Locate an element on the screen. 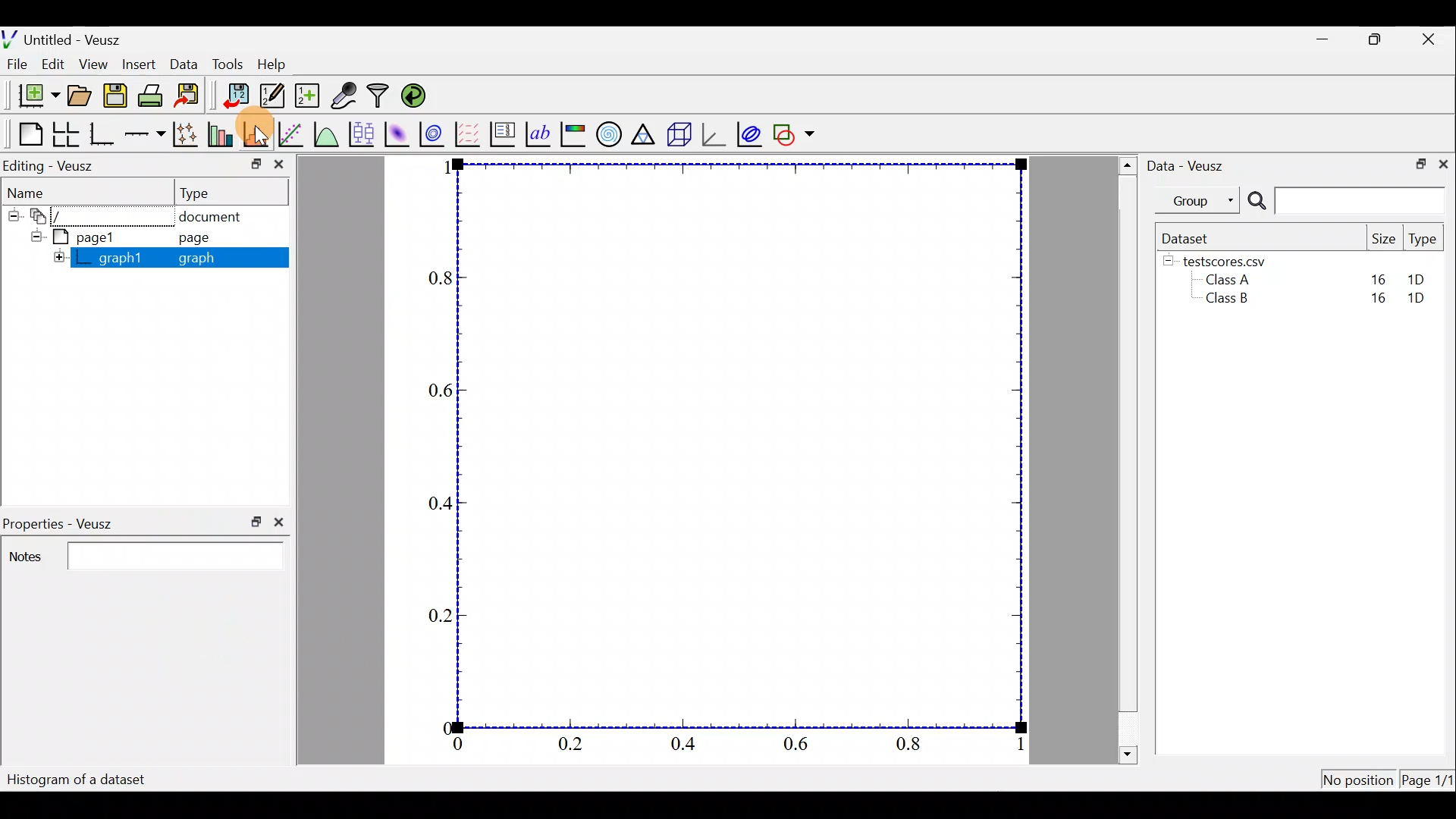 This screenshot has height=819, width=1456. 0 is located at coordinates (441, 725).